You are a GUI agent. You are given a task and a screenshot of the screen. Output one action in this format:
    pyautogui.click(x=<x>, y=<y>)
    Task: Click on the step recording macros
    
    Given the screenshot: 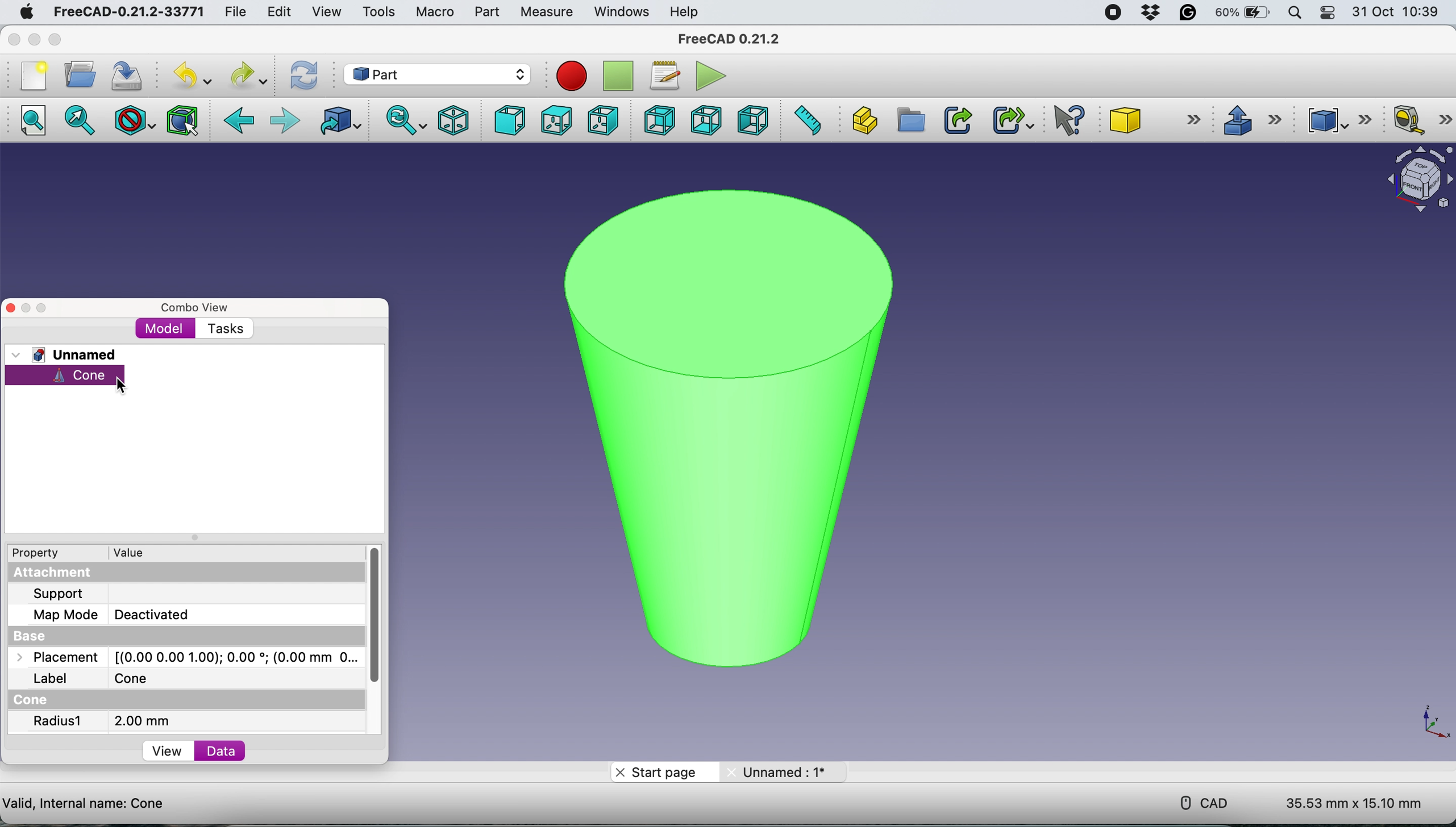 What is the action you would take?
    pyautogui.click(x=618, y=77)
    